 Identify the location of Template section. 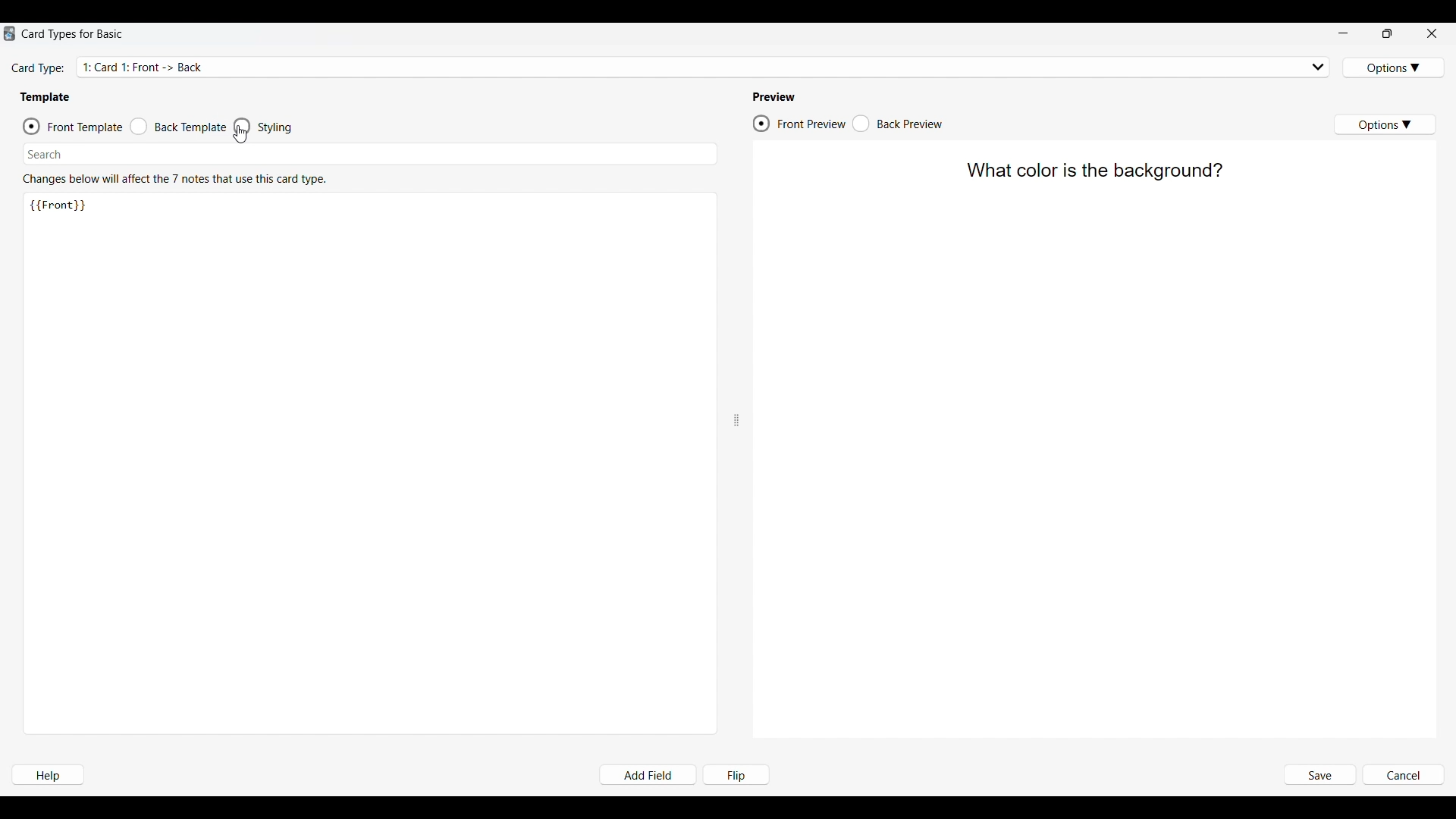
(45, 97).